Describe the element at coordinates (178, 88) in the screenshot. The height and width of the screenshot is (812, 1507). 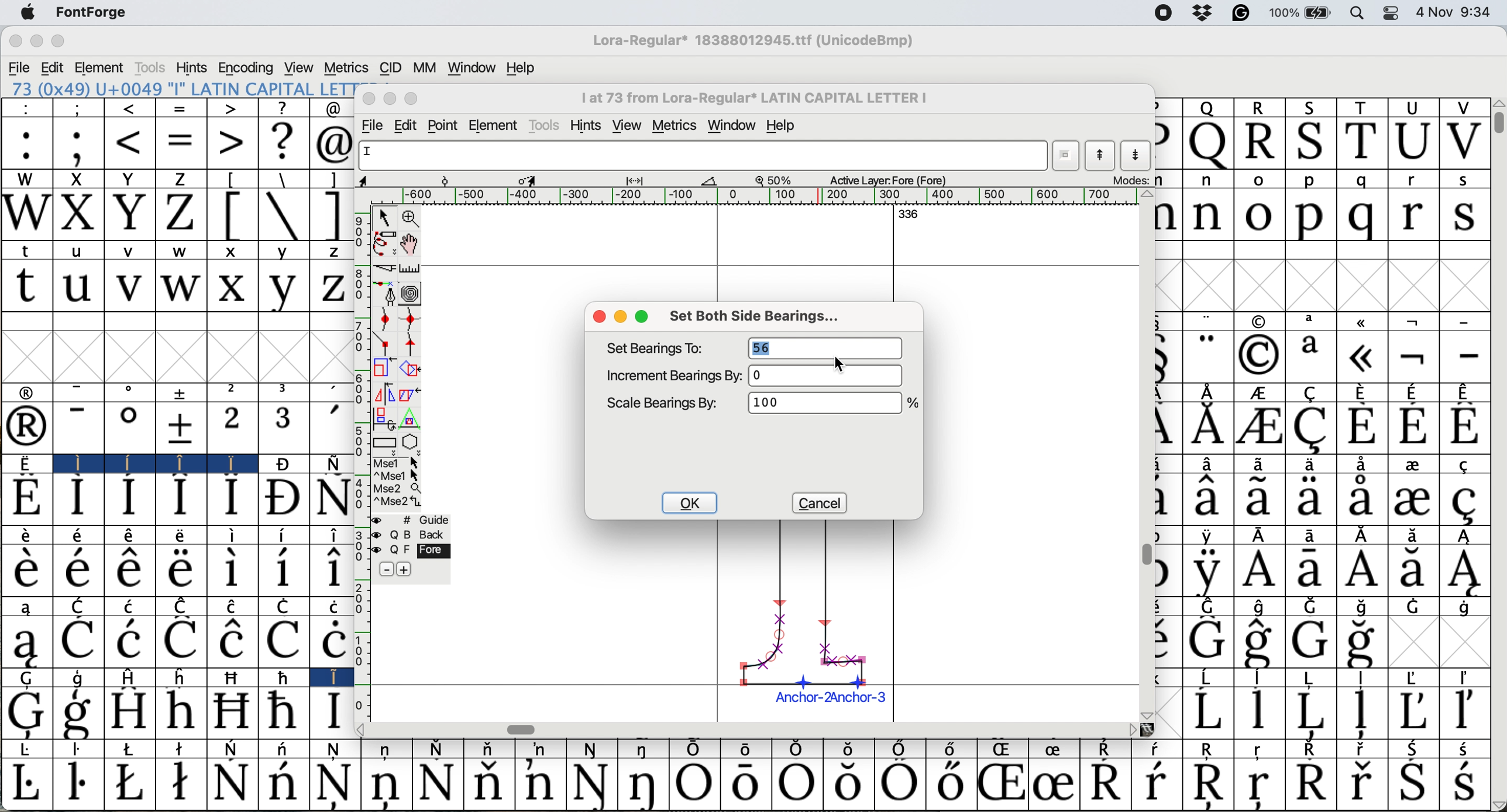
I see `73 (0x49) "I" LATIN CAPITAL LETTER` at that location.